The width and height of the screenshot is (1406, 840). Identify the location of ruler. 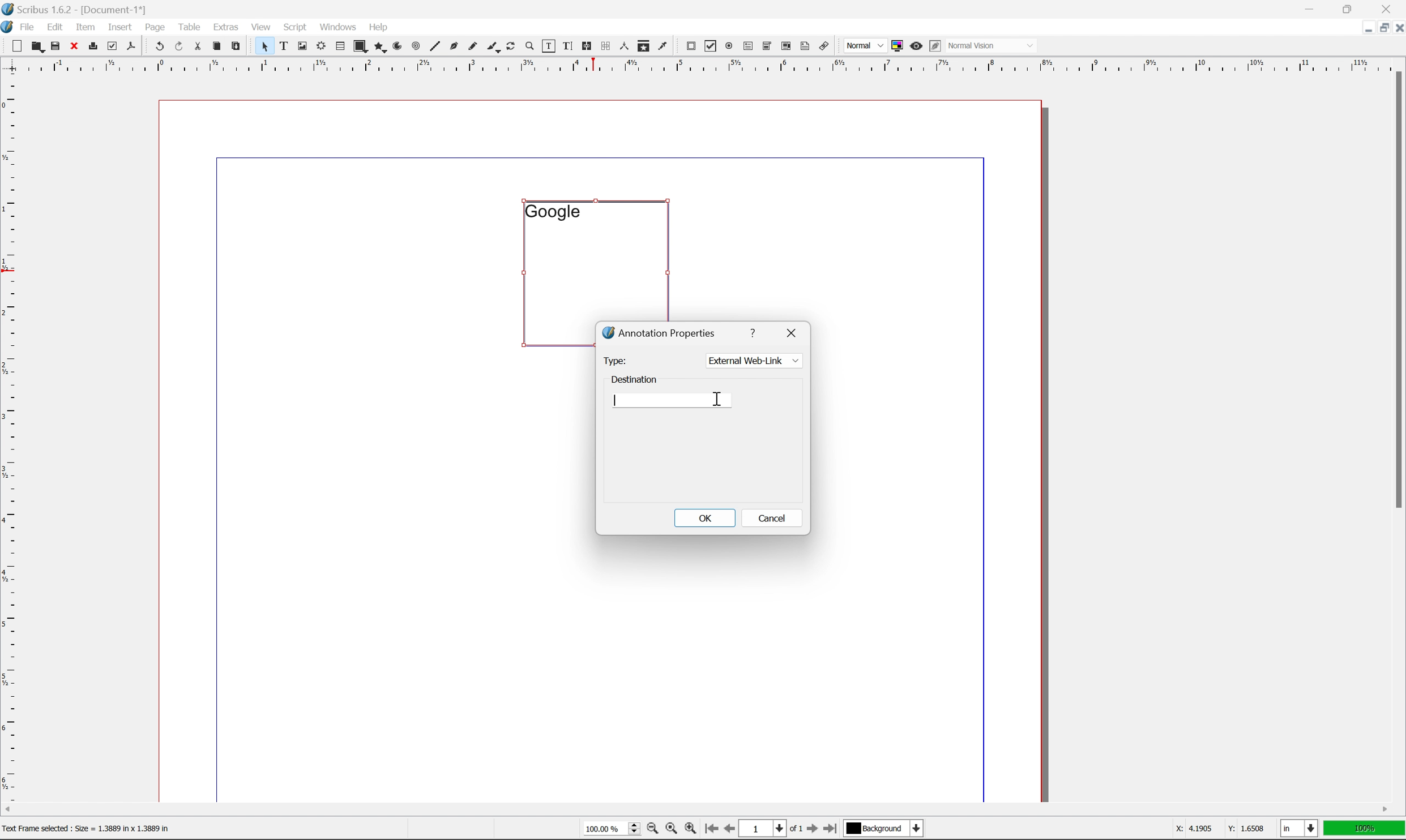
(702, 64).